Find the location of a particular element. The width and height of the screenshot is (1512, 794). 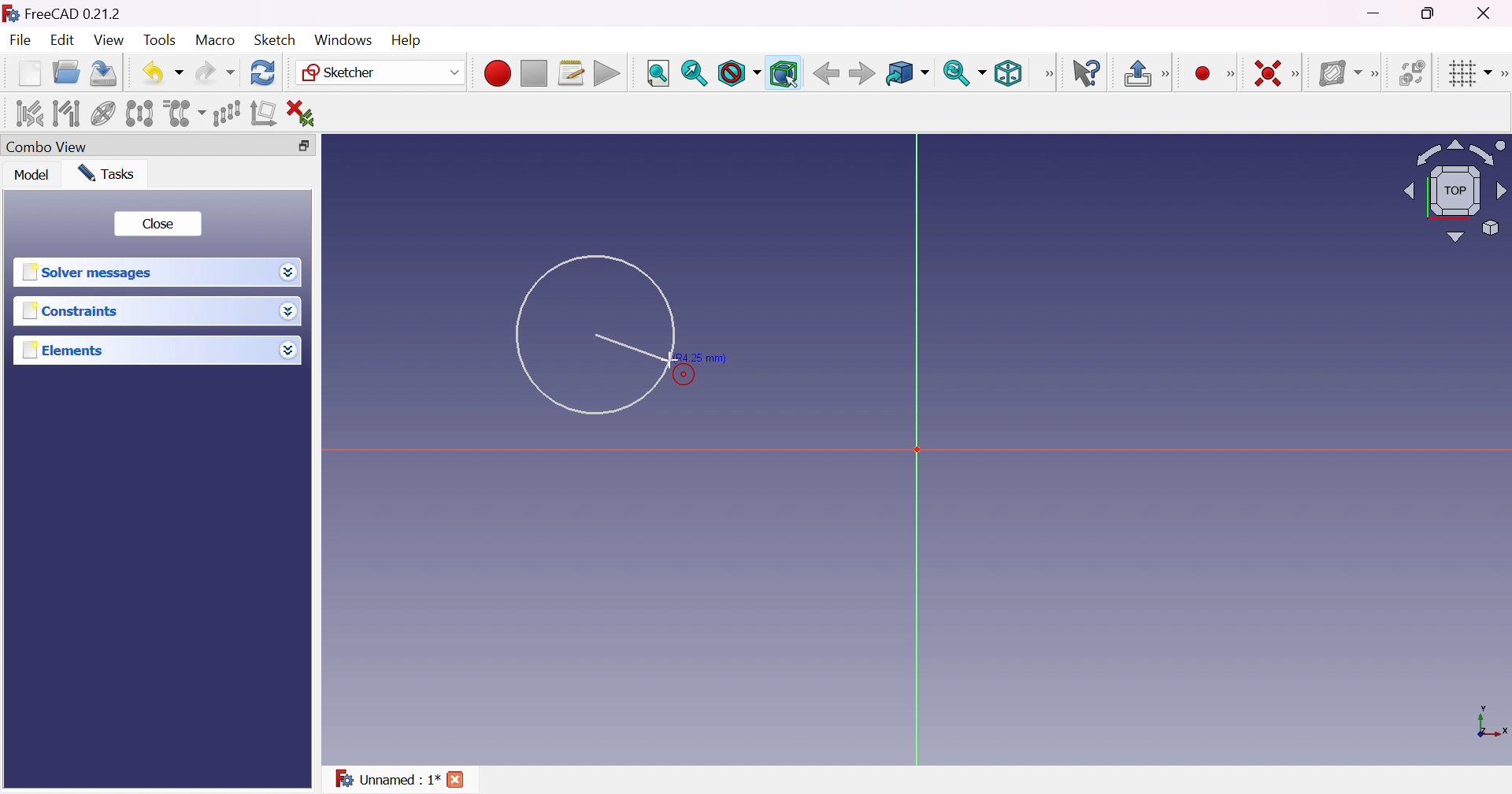

[Sketcher edit tools] is located at coordinates (1503, 72).